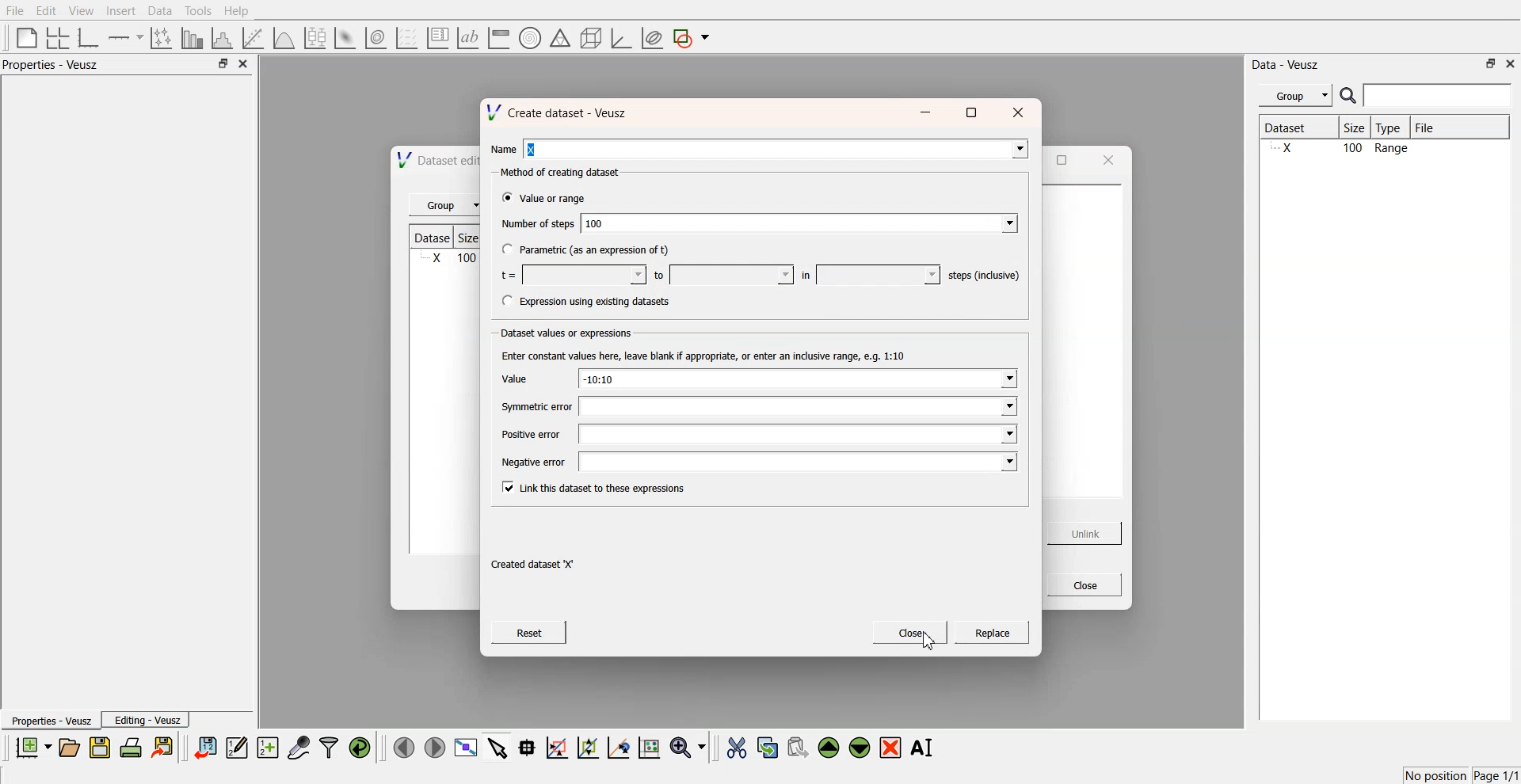  I want to click on move the selected widgets up, so click(830, 748).